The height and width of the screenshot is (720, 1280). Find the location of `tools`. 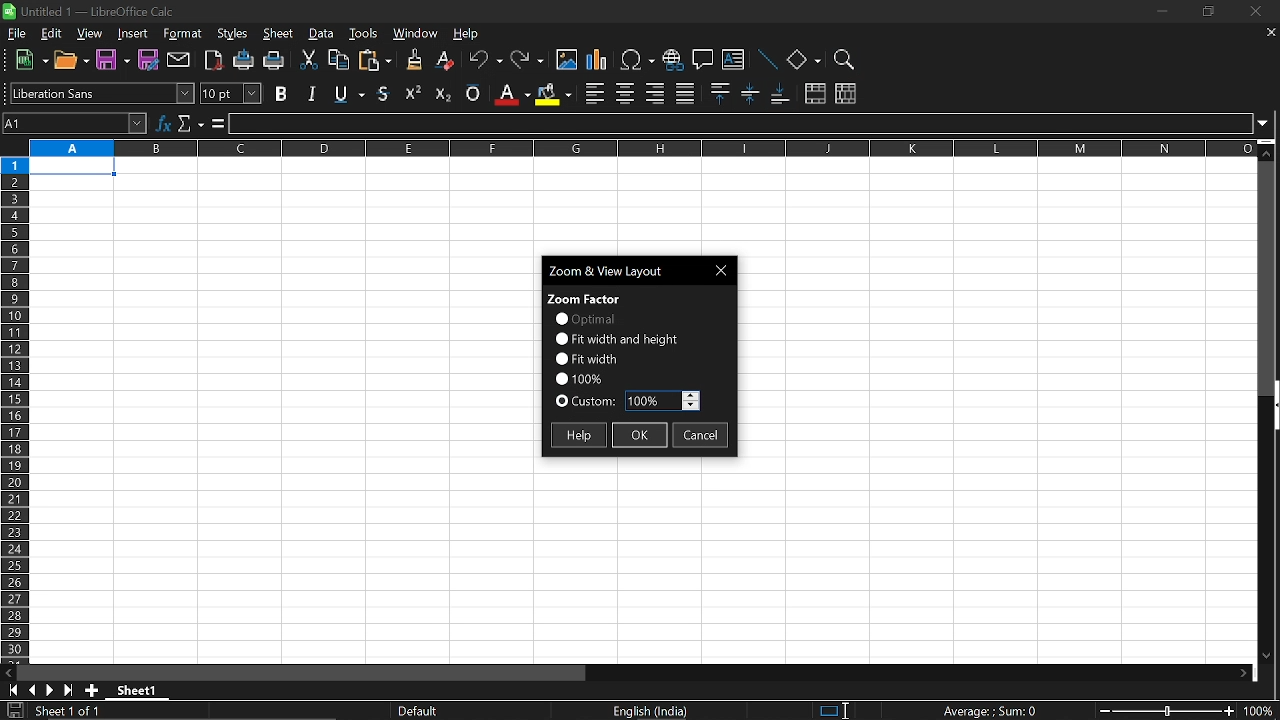

tools is located at coordinates (364, 33).